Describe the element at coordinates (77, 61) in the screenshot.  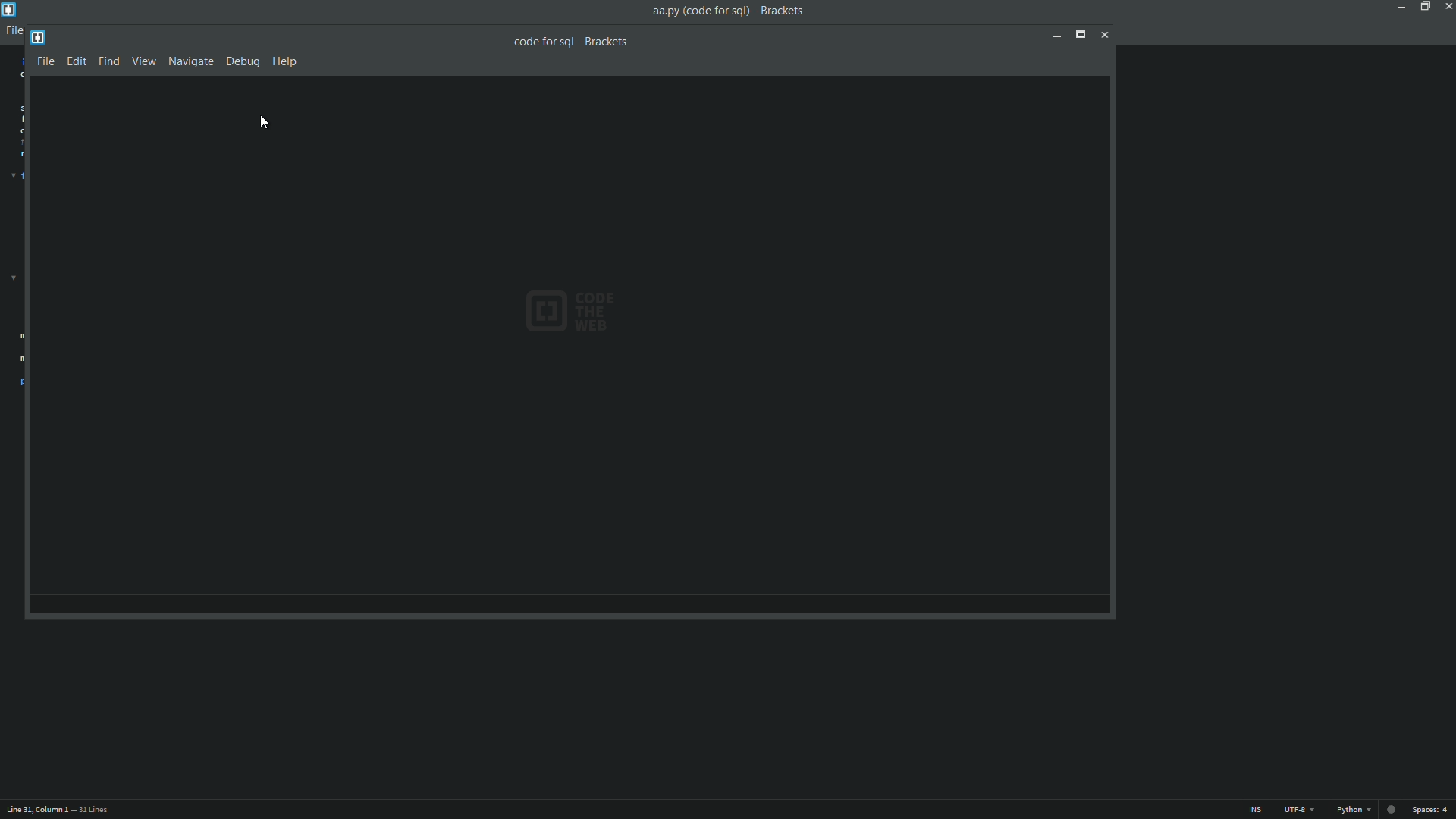
I see `Edit` at that location.